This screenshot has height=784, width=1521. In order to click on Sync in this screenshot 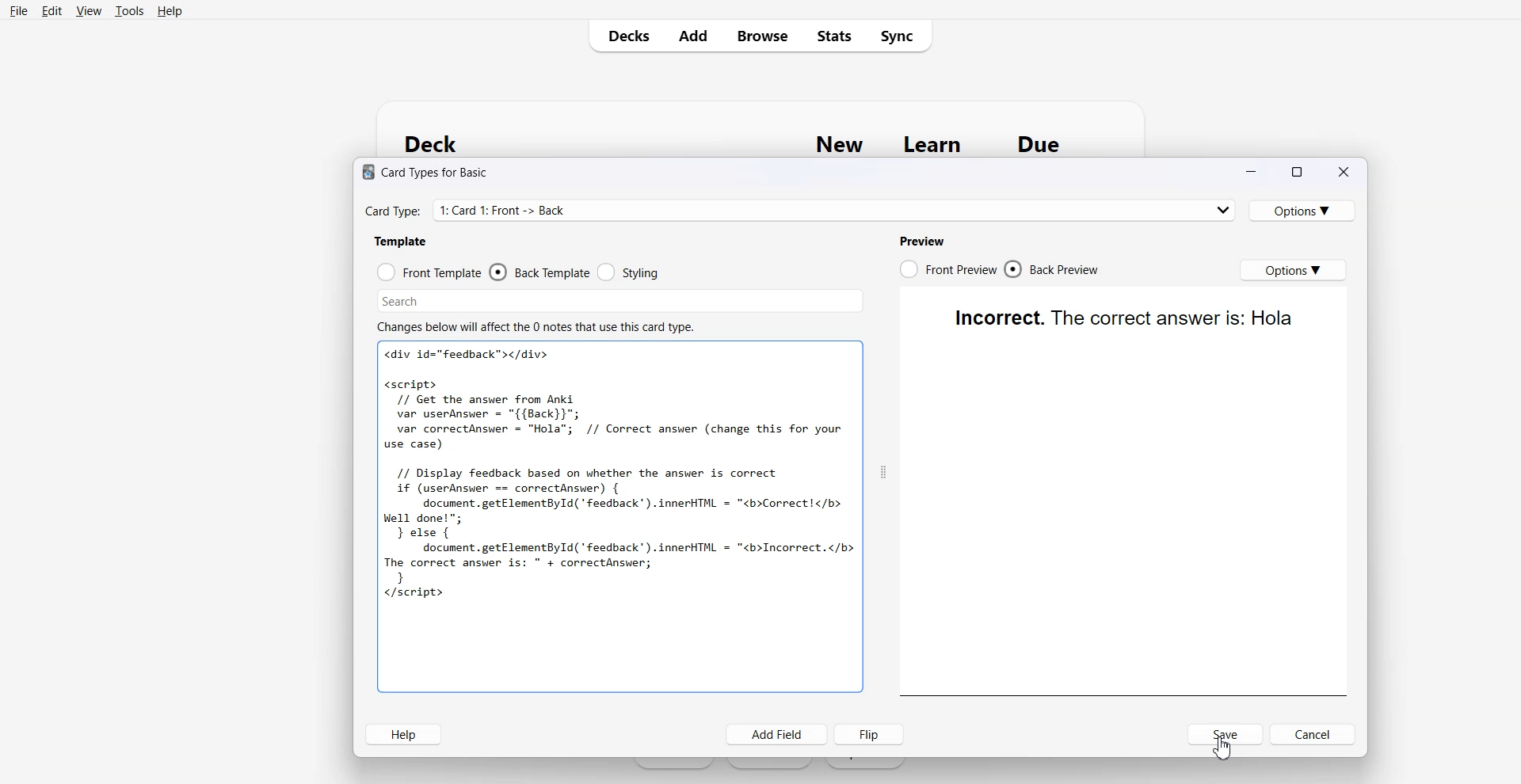, I will do `click(900, 35)`.